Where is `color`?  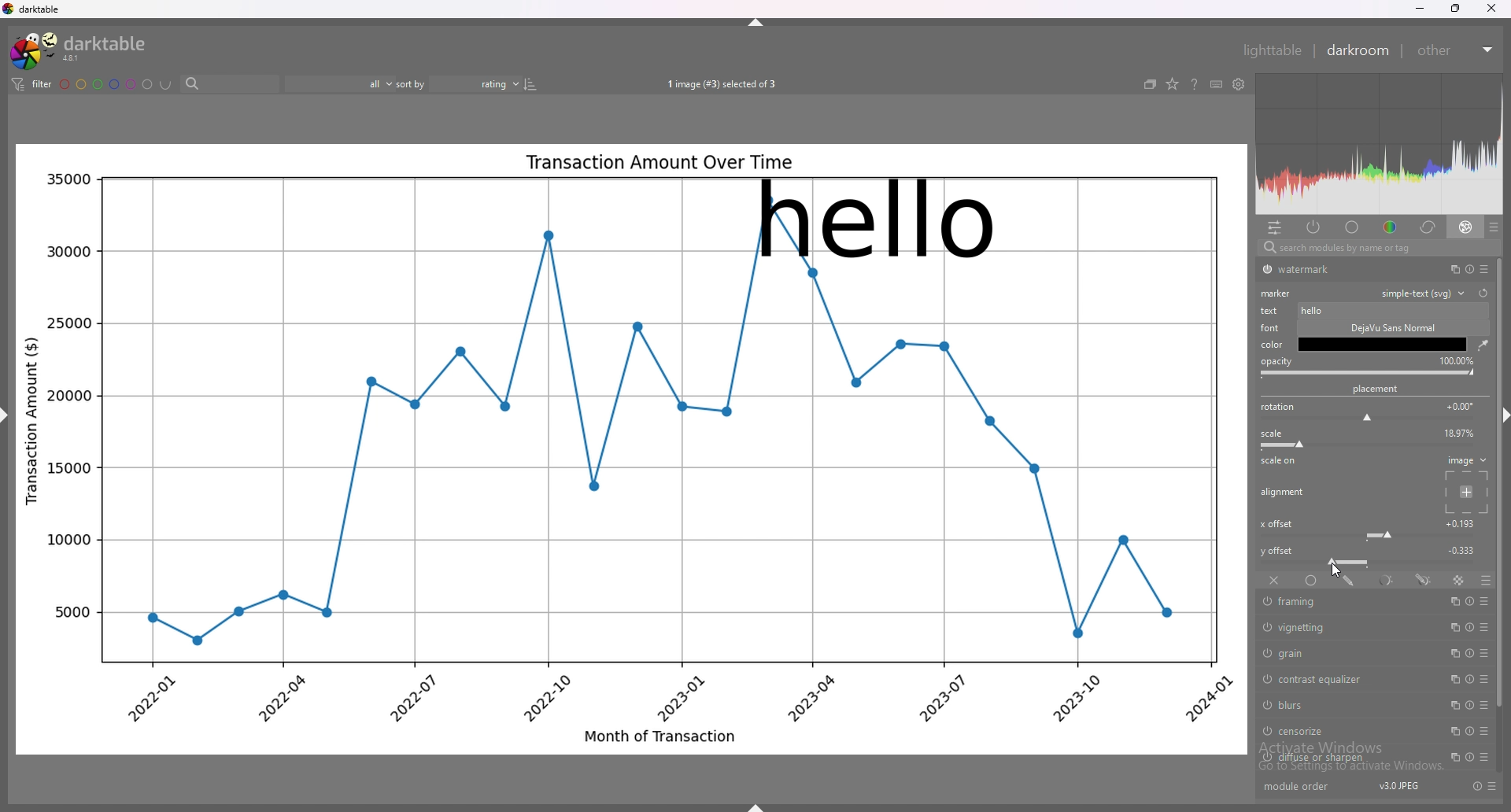 color is located at coordinates (1387, 227).